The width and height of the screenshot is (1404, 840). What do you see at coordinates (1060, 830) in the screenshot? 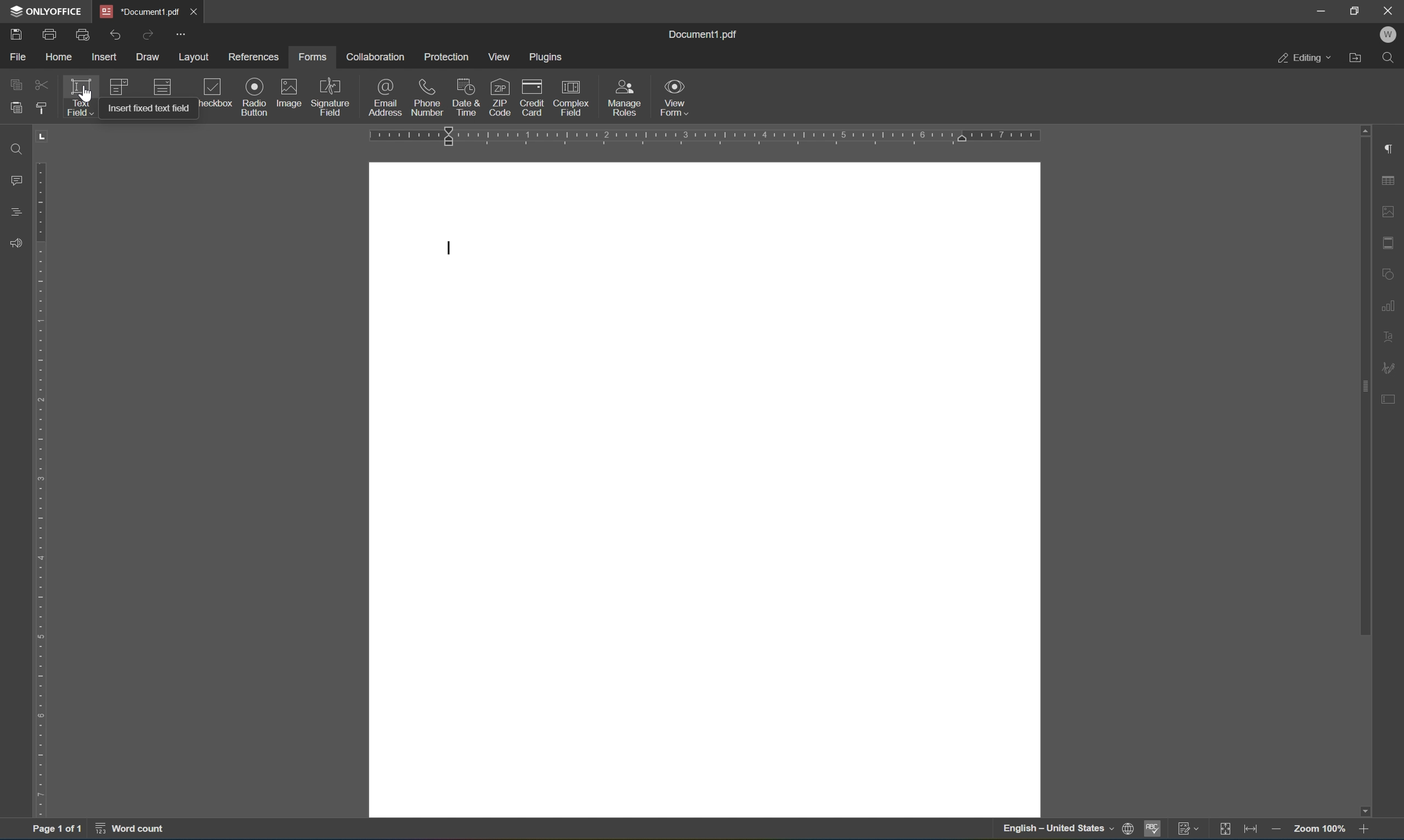
I see `english - united states` at bounding box center [1060, 830].